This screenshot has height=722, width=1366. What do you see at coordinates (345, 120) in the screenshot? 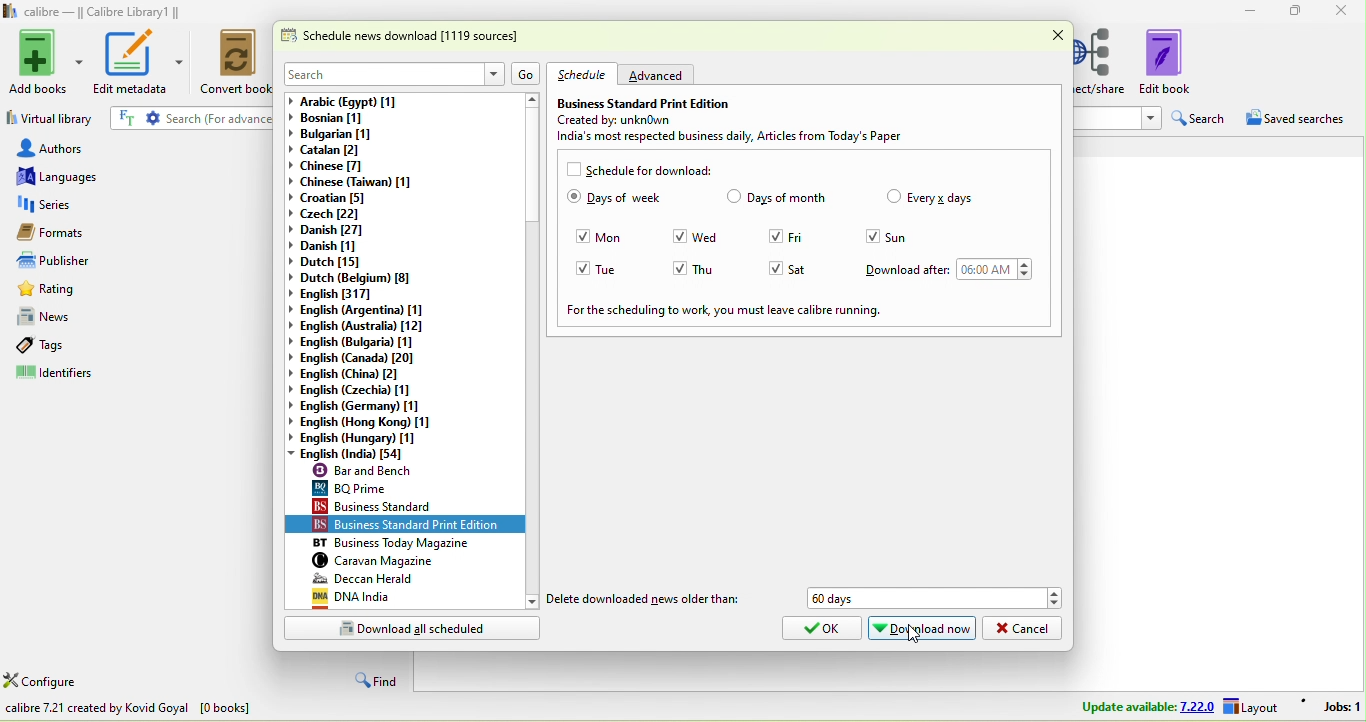
I see `bosnian [1]` at bounding box center [345, 120].